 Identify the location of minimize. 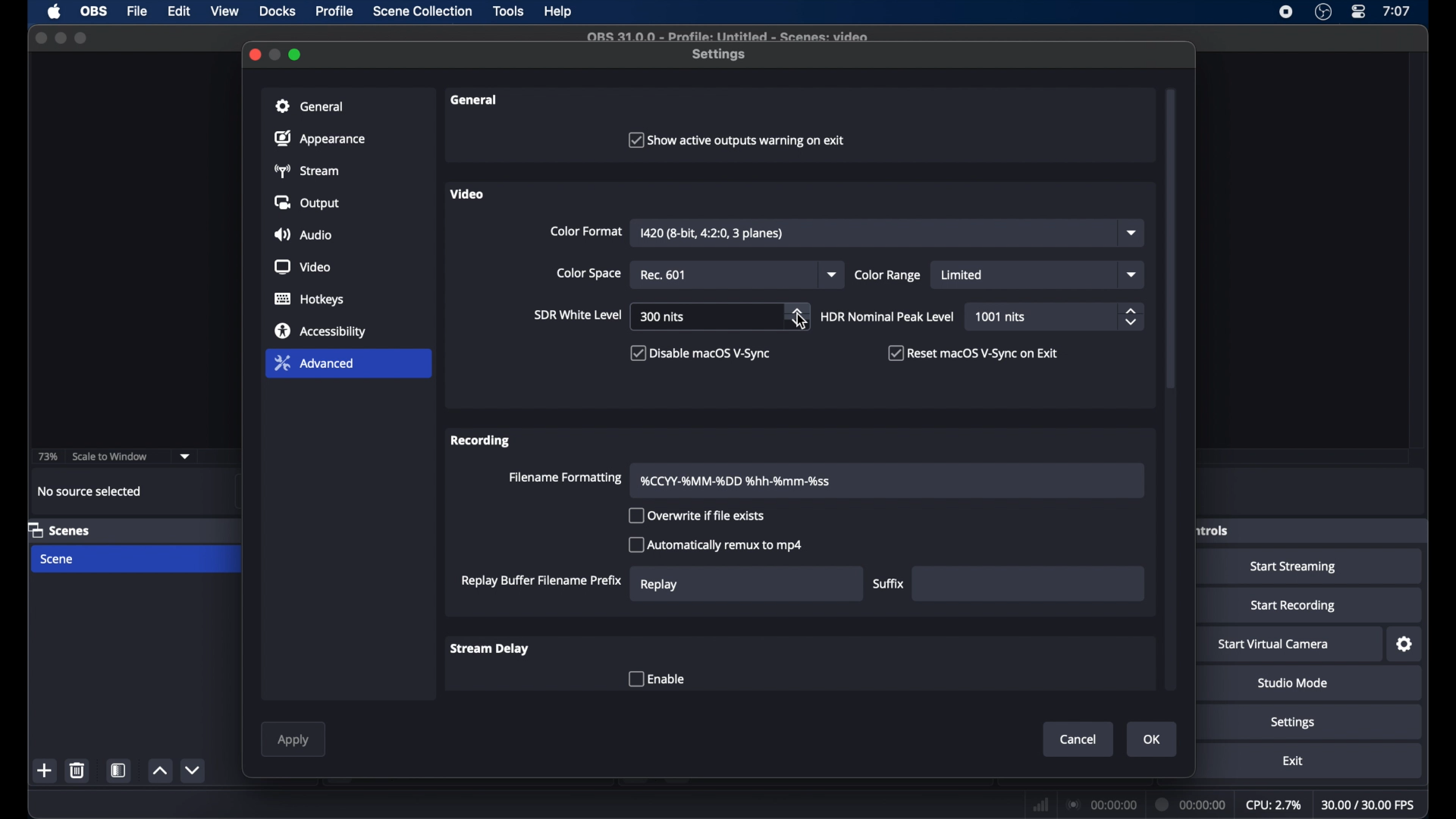
(60, 38).